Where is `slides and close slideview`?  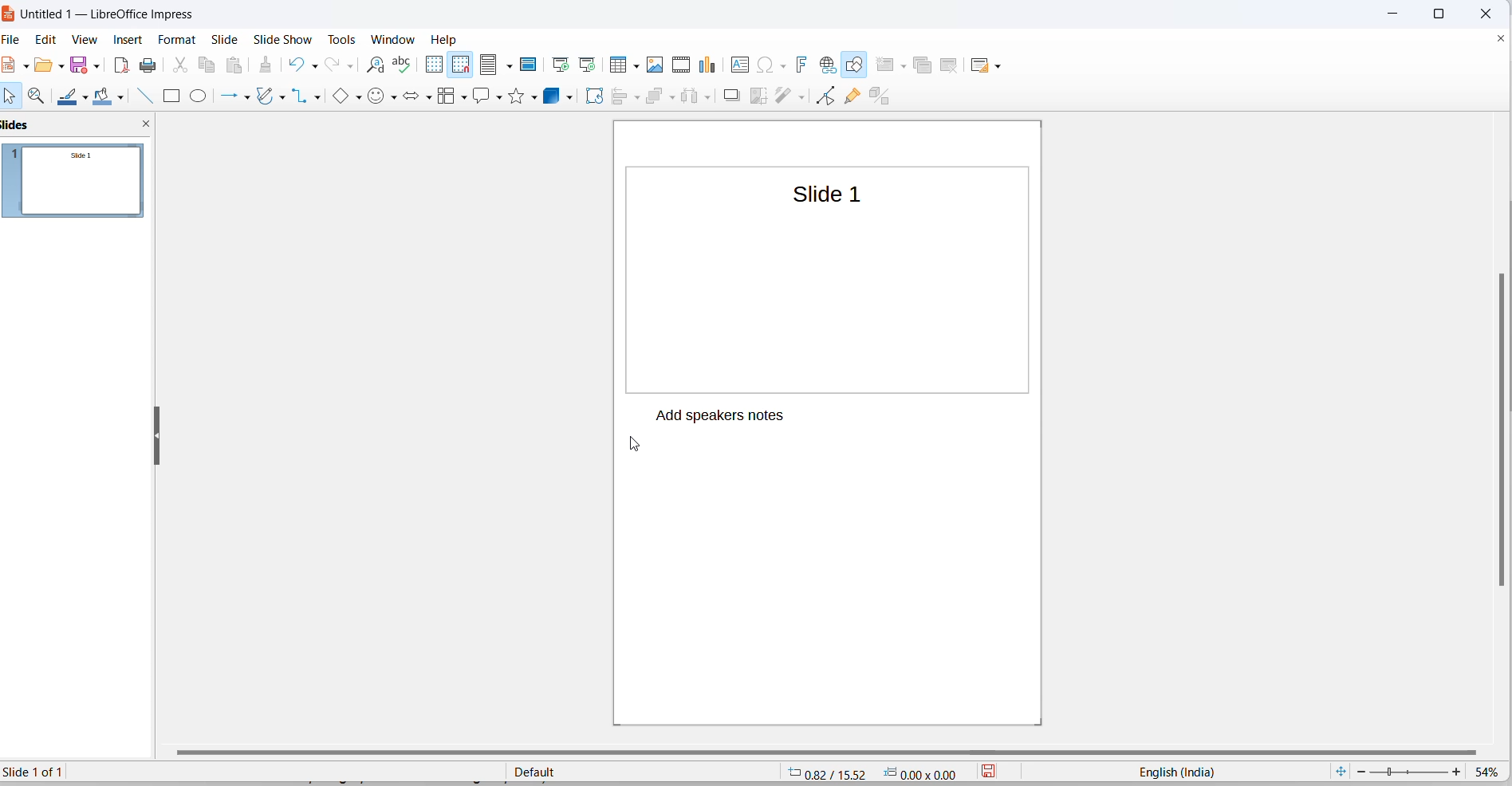
slides and close slideview is located at coordinates (77, 125).